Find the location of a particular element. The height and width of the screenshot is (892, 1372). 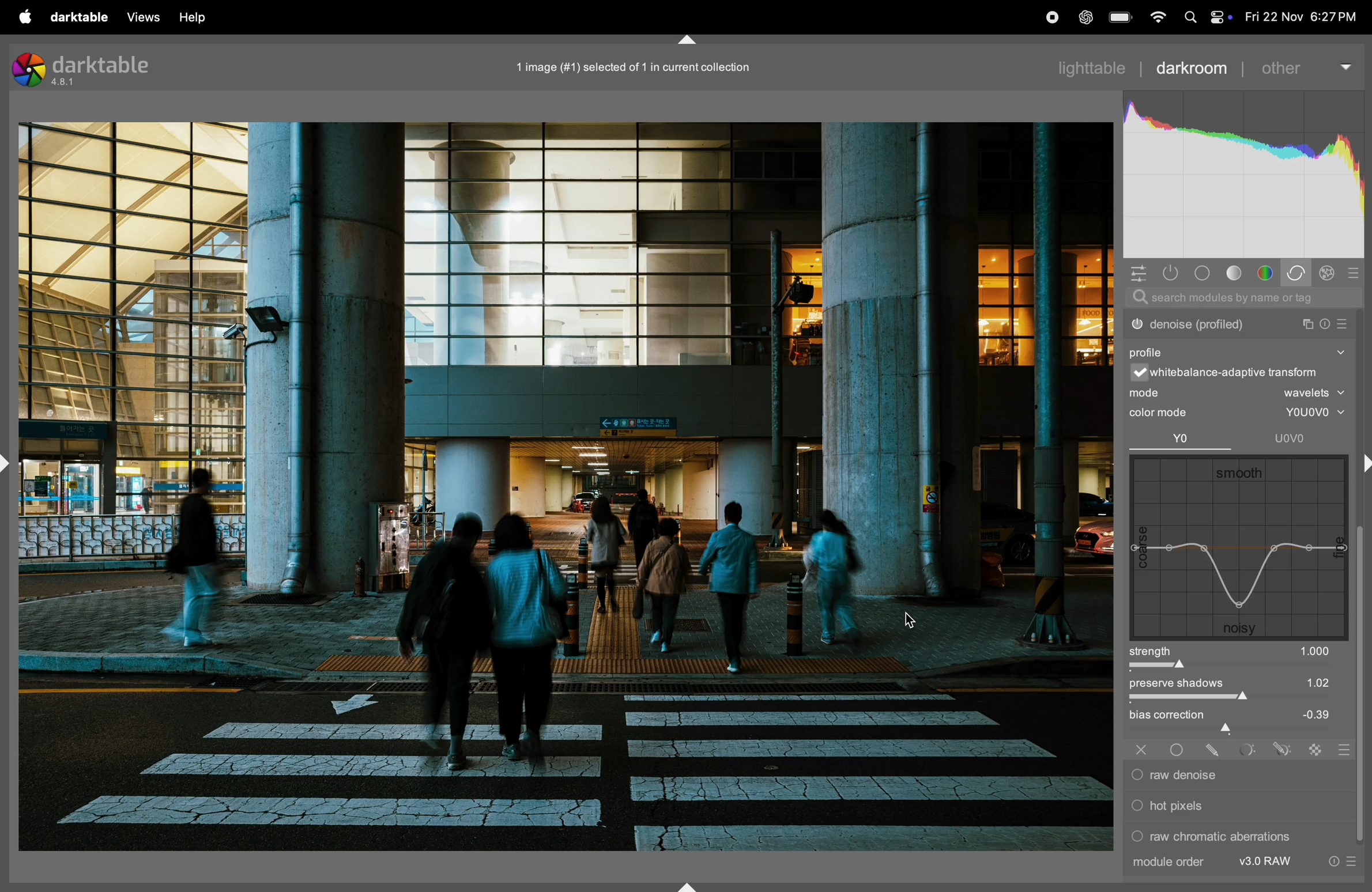

strength is located at coordinates (1241, 657).